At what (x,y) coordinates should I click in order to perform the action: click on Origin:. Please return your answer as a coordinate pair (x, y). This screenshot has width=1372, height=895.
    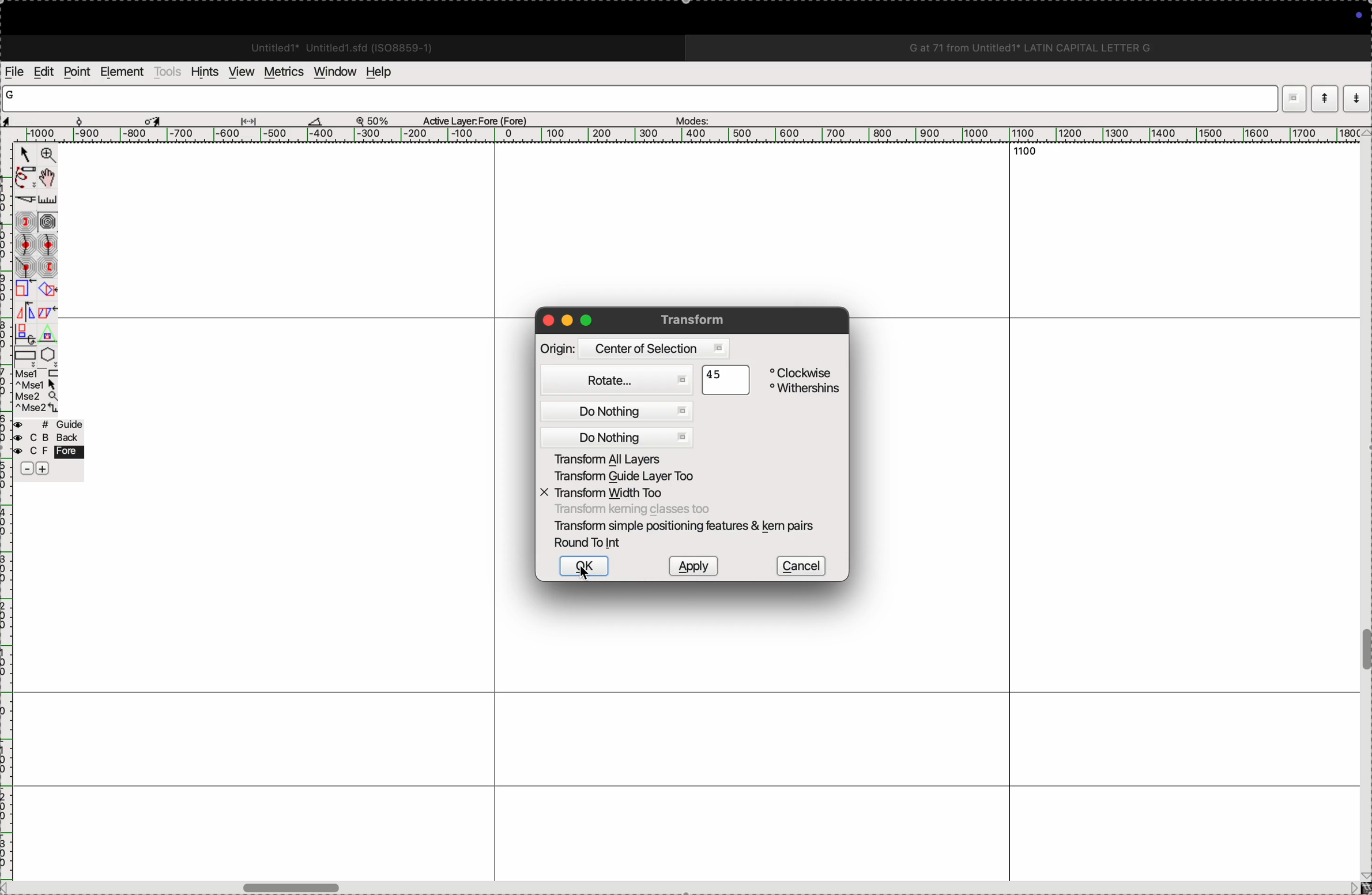
    Looking at the image, I should click on (559, 351).